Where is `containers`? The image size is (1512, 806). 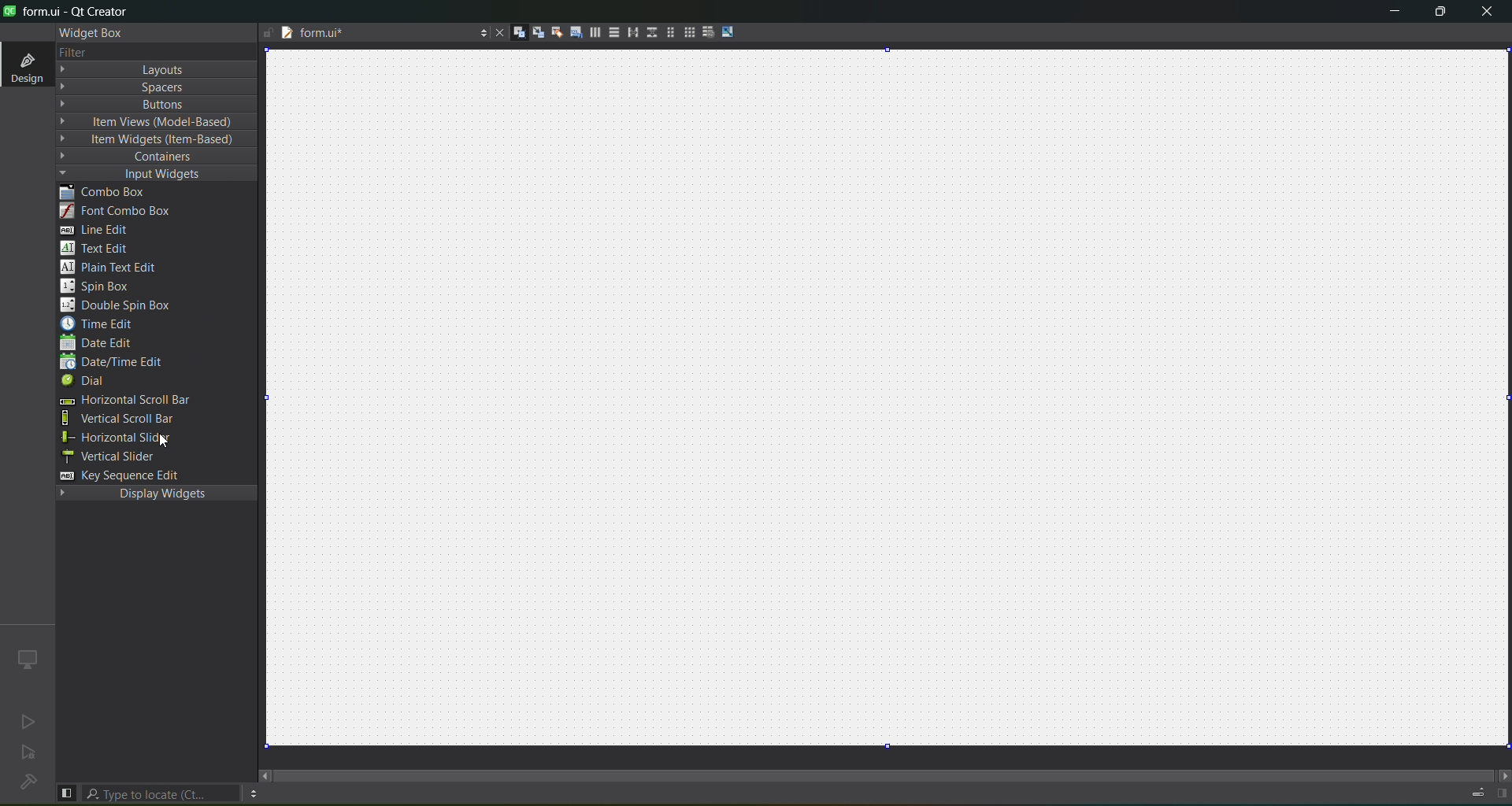
containers is located at coordinates (141, 157).